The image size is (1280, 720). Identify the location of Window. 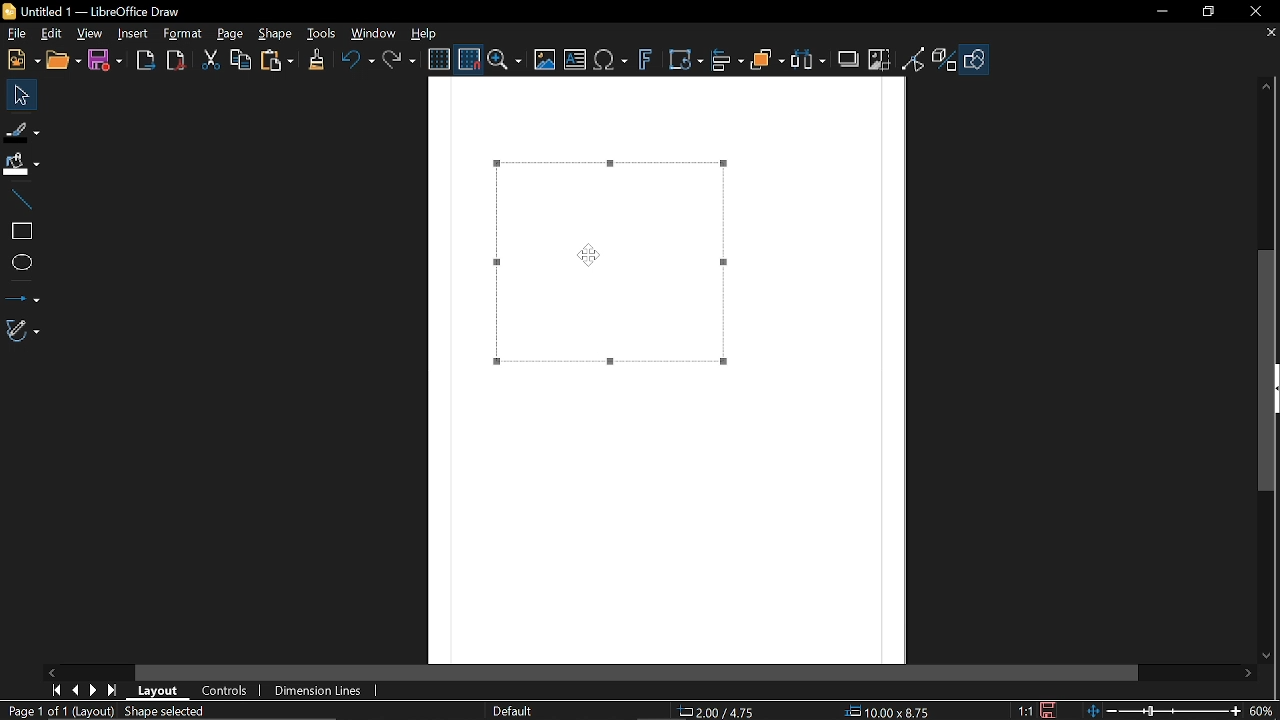
(374, 32).